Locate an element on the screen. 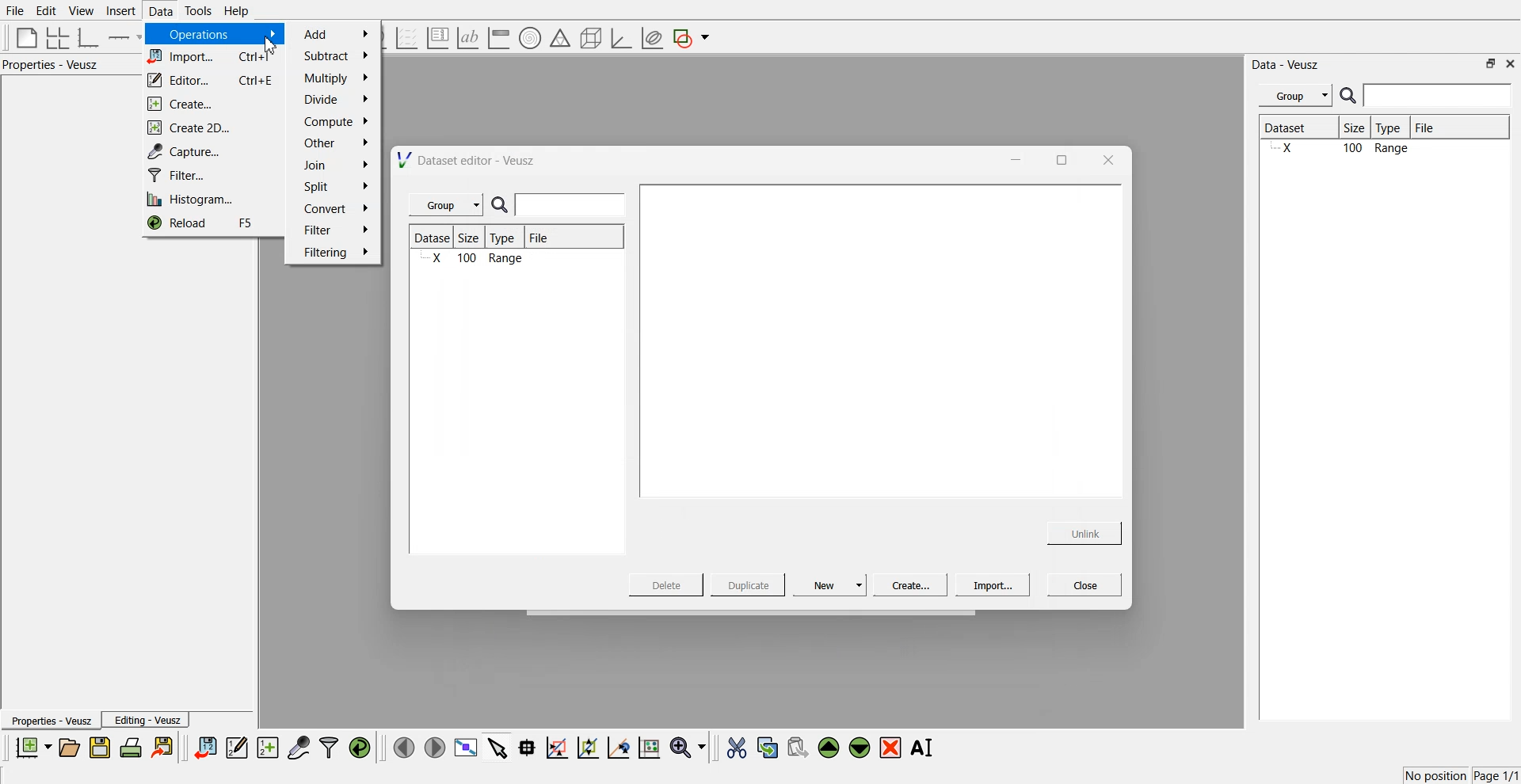 The image size is (1521, 784). filters is located at coordinates (327, 748).